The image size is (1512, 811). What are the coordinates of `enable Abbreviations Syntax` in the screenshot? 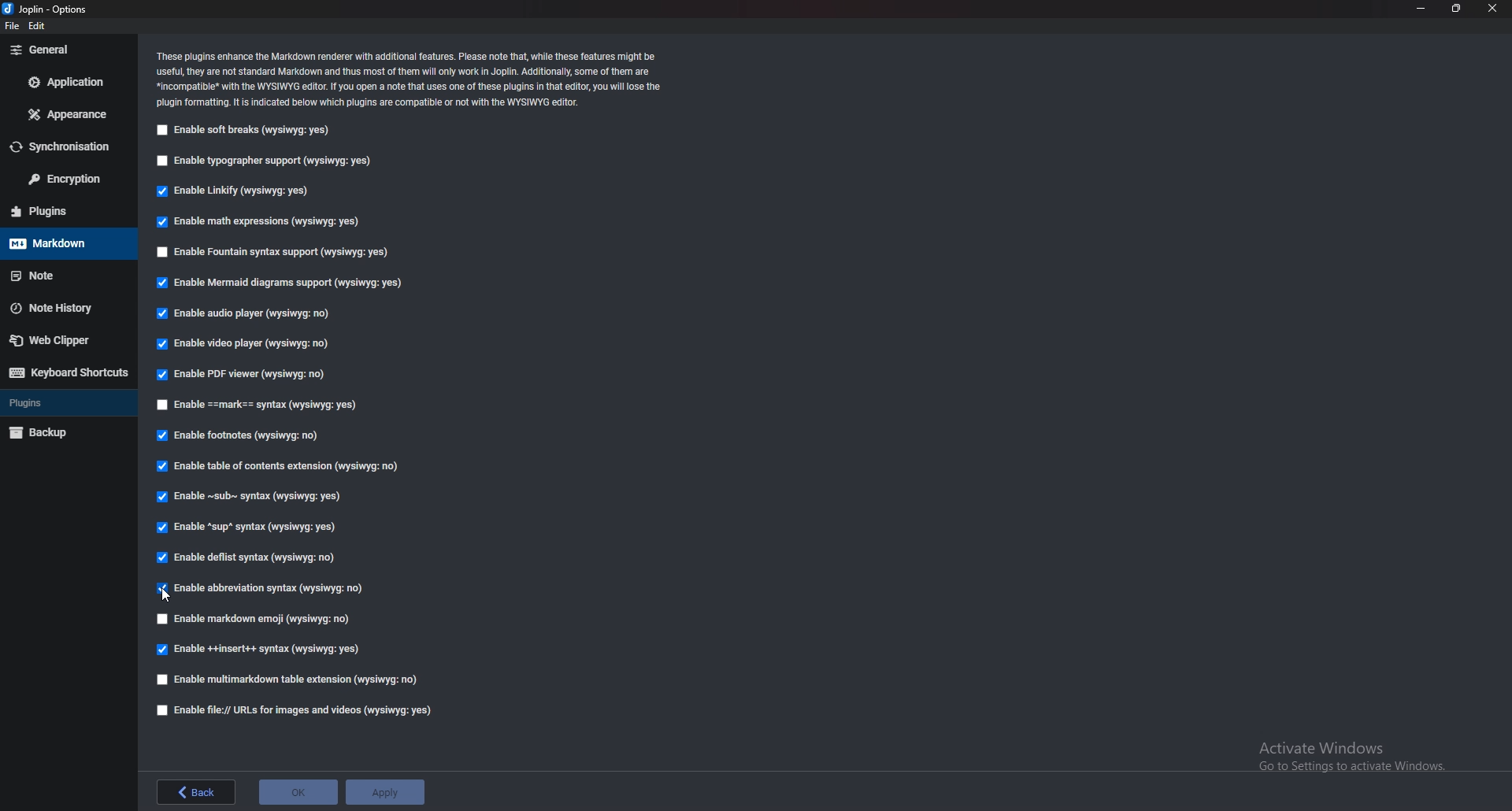 It's located at (264, 588).